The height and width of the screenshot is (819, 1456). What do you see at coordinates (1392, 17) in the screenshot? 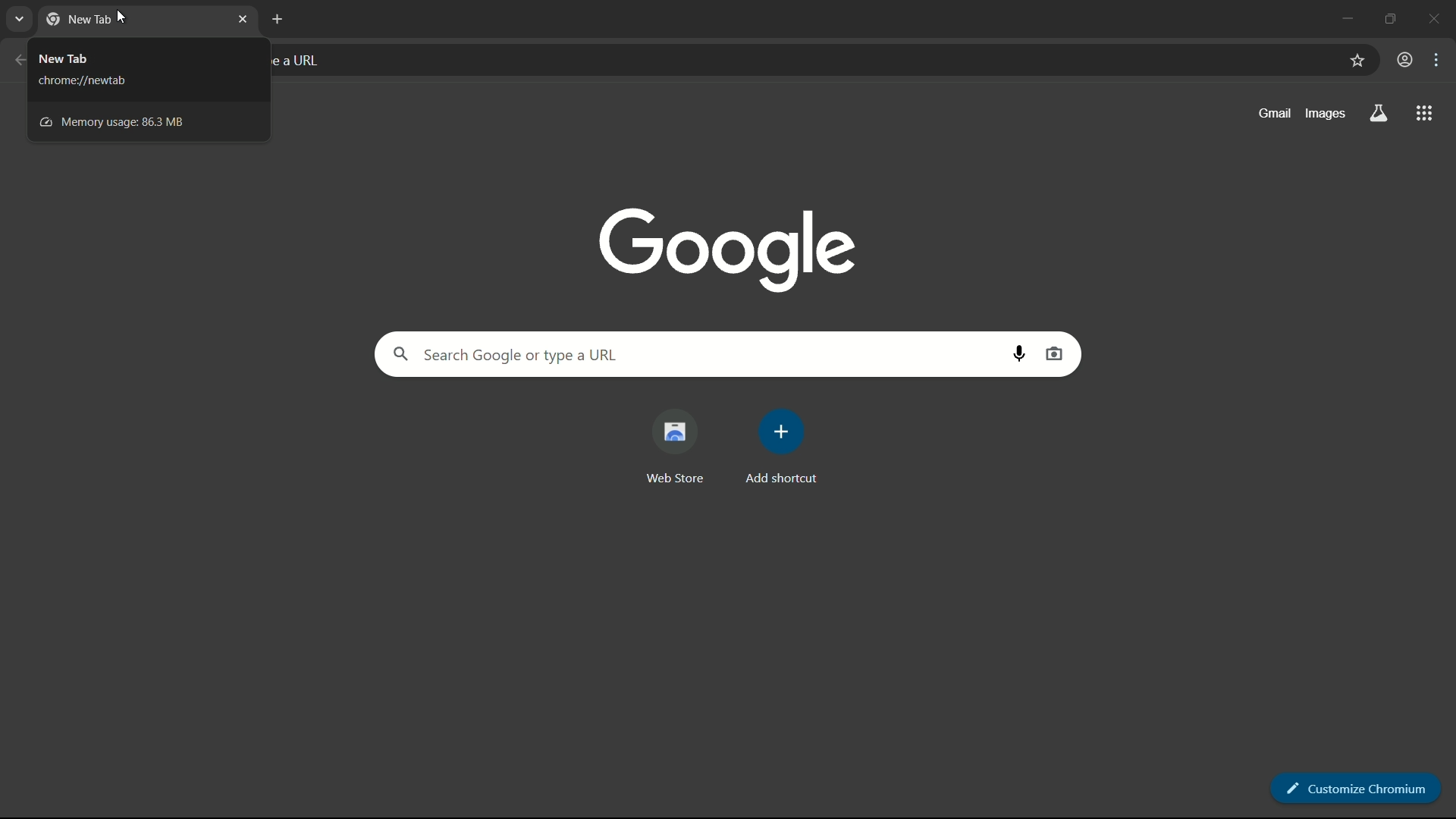
I see `maximize or restore` at bounding box center [1392, 17].